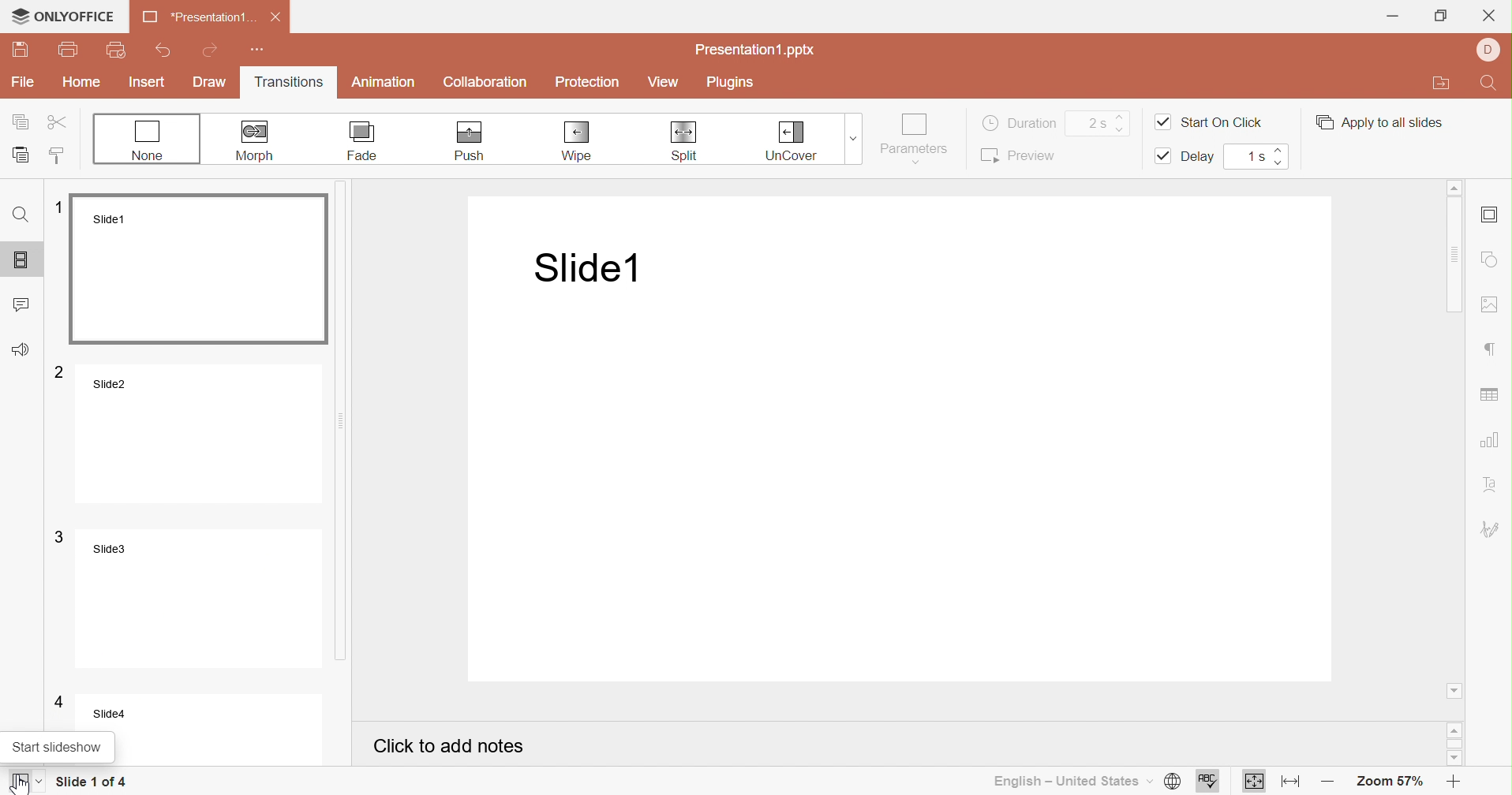  What do you see at coordinates (56, 748) in the screenshot?
I see `Start slideshow` at bounding box center [56, 748].